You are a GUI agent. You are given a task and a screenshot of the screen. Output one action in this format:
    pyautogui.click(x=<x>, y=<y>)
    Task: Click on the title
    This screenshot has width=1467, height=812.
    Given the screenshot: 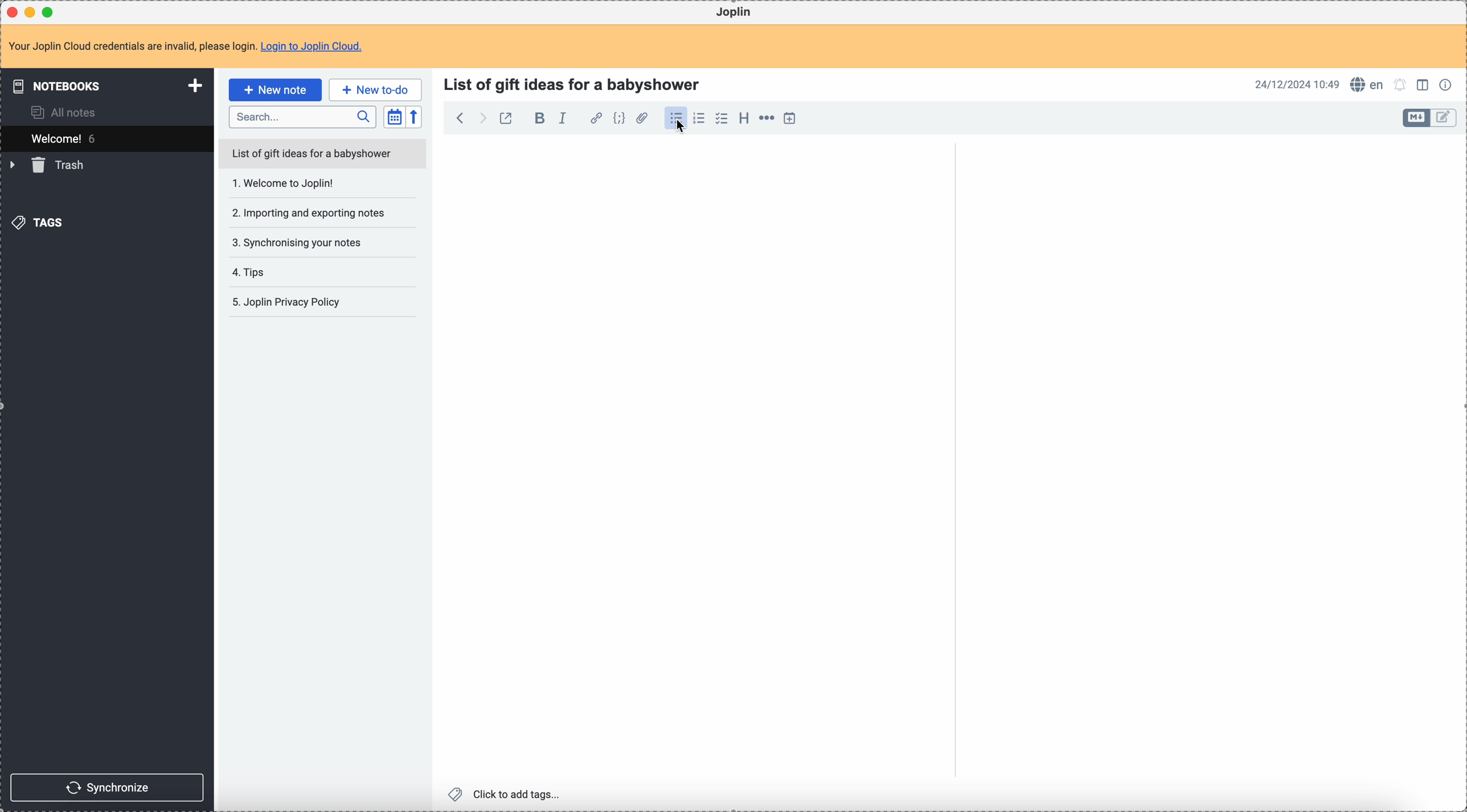 What is the action you would take?
    pyautogui.click(x=575, y=83)
    